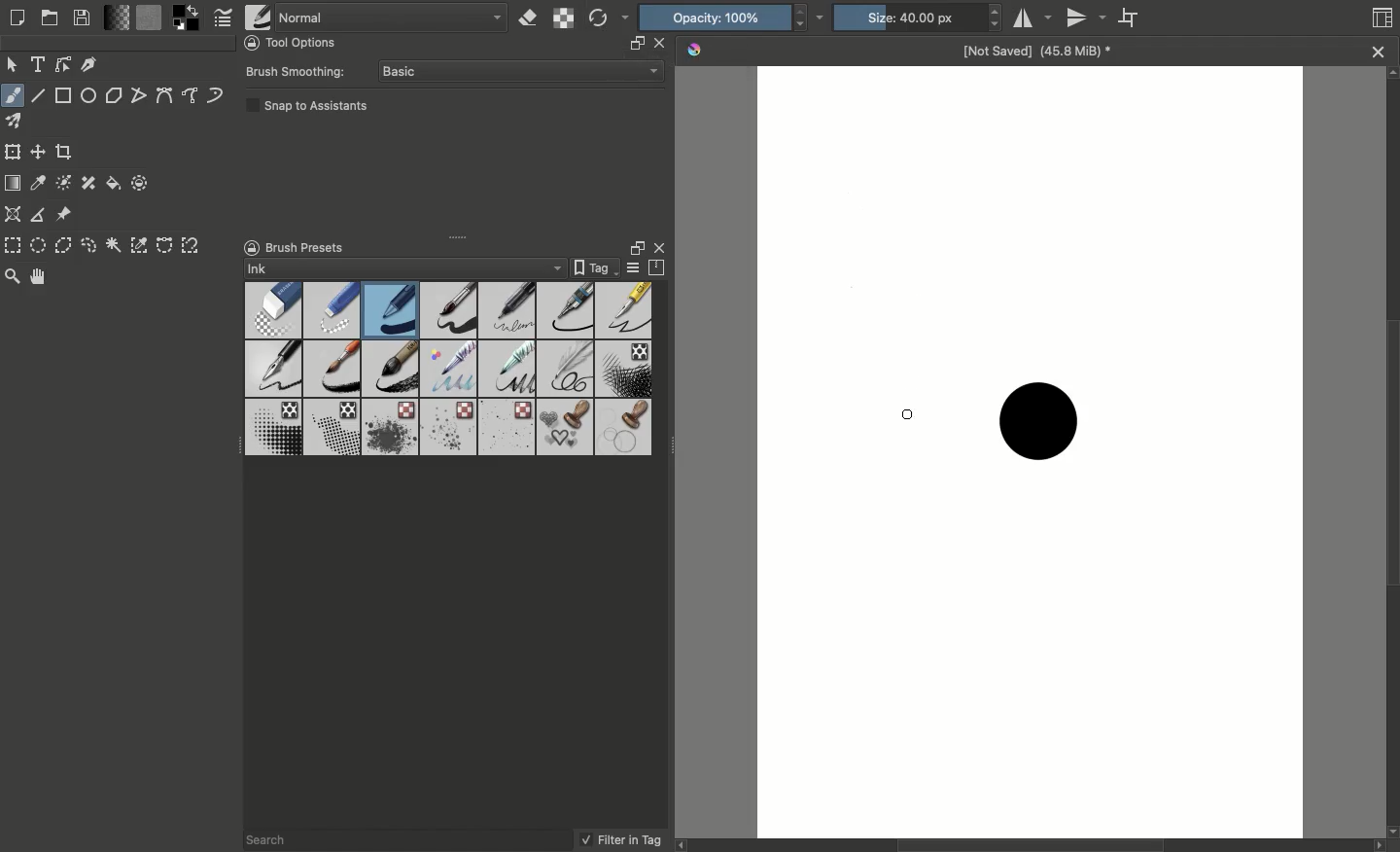  What do you see at coordinates (13, 63) in the screenshot?
I see `Move` at bounding box center [13, 63].